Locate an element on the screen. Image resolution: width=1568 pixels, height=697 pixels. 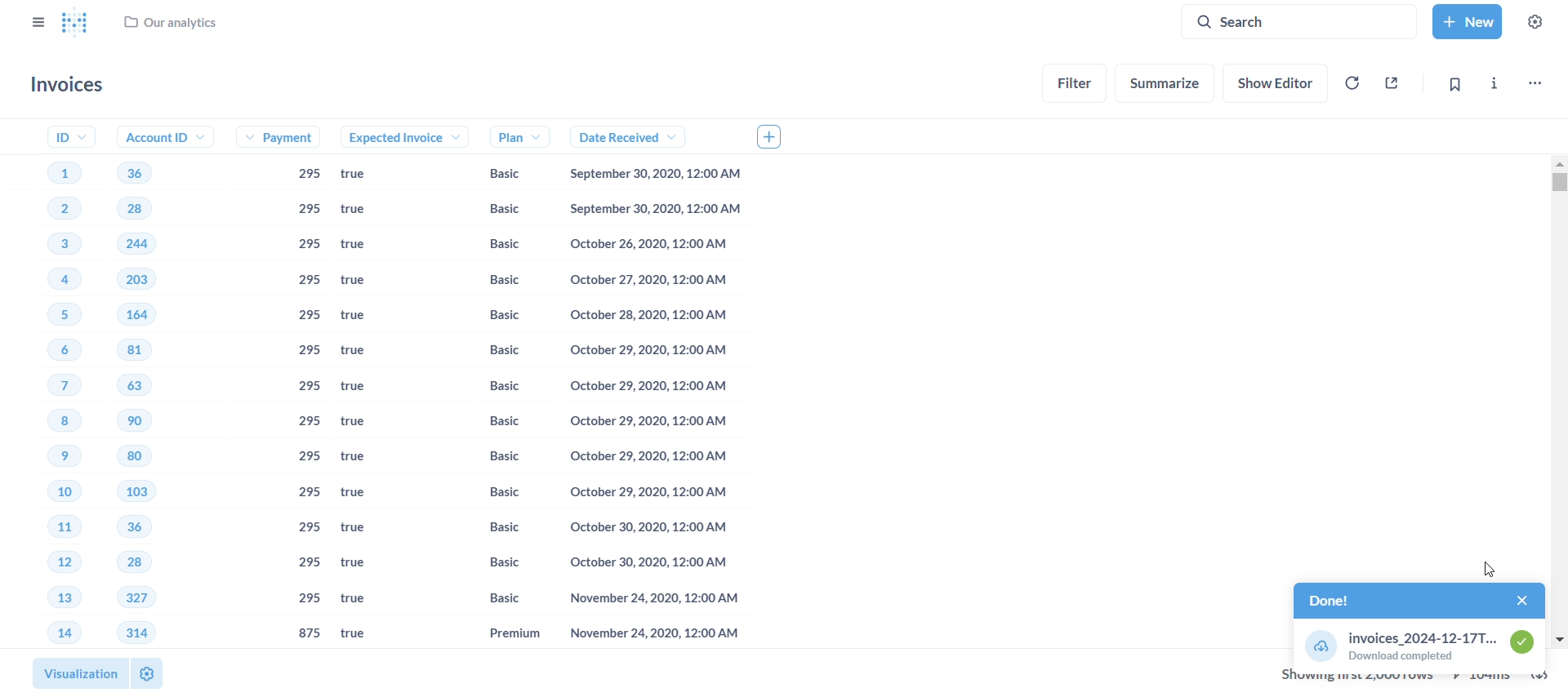
Premium is located at coordinates (498, 633).